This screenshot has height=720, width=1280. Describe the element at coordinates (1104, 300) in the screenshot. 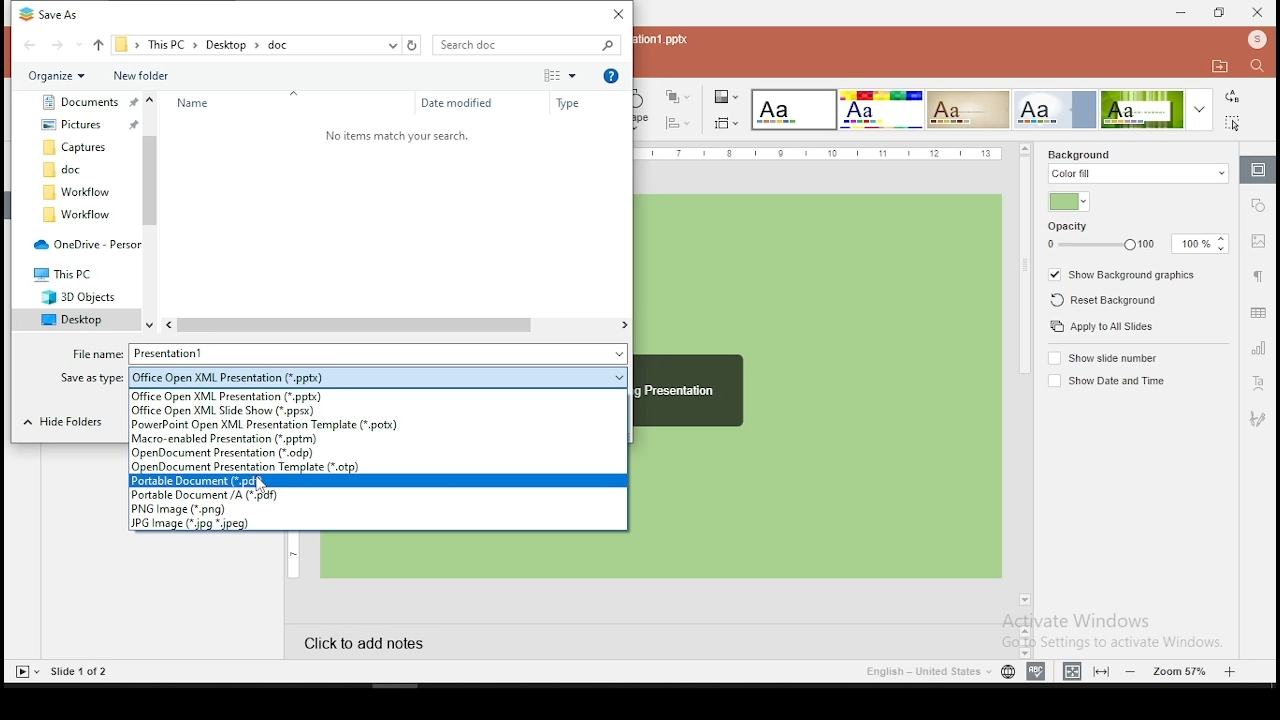

I see `reset background` at that location.